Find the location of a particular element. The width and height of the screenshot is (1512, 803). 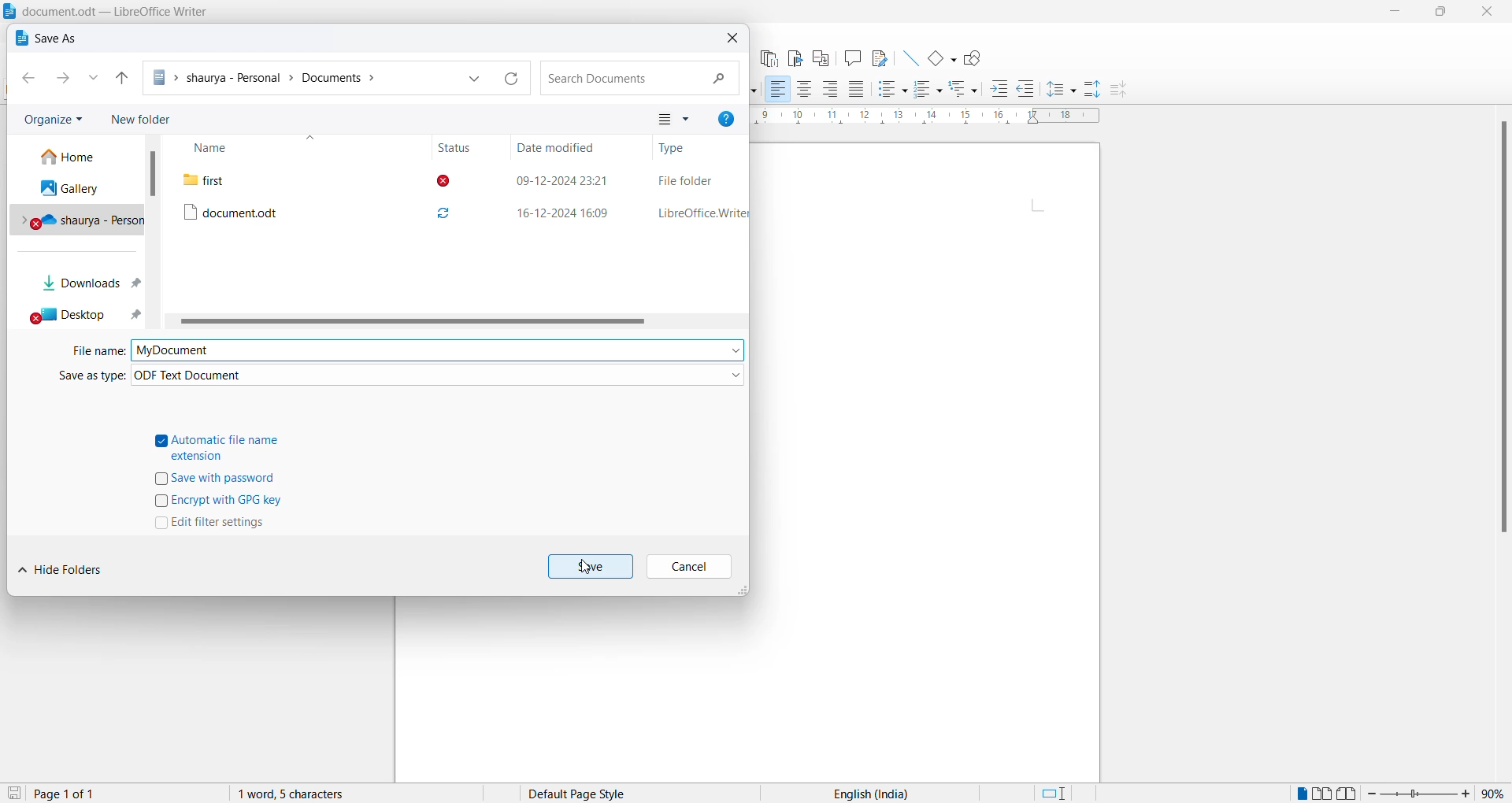

Justify is located at coordinates (856, 91).